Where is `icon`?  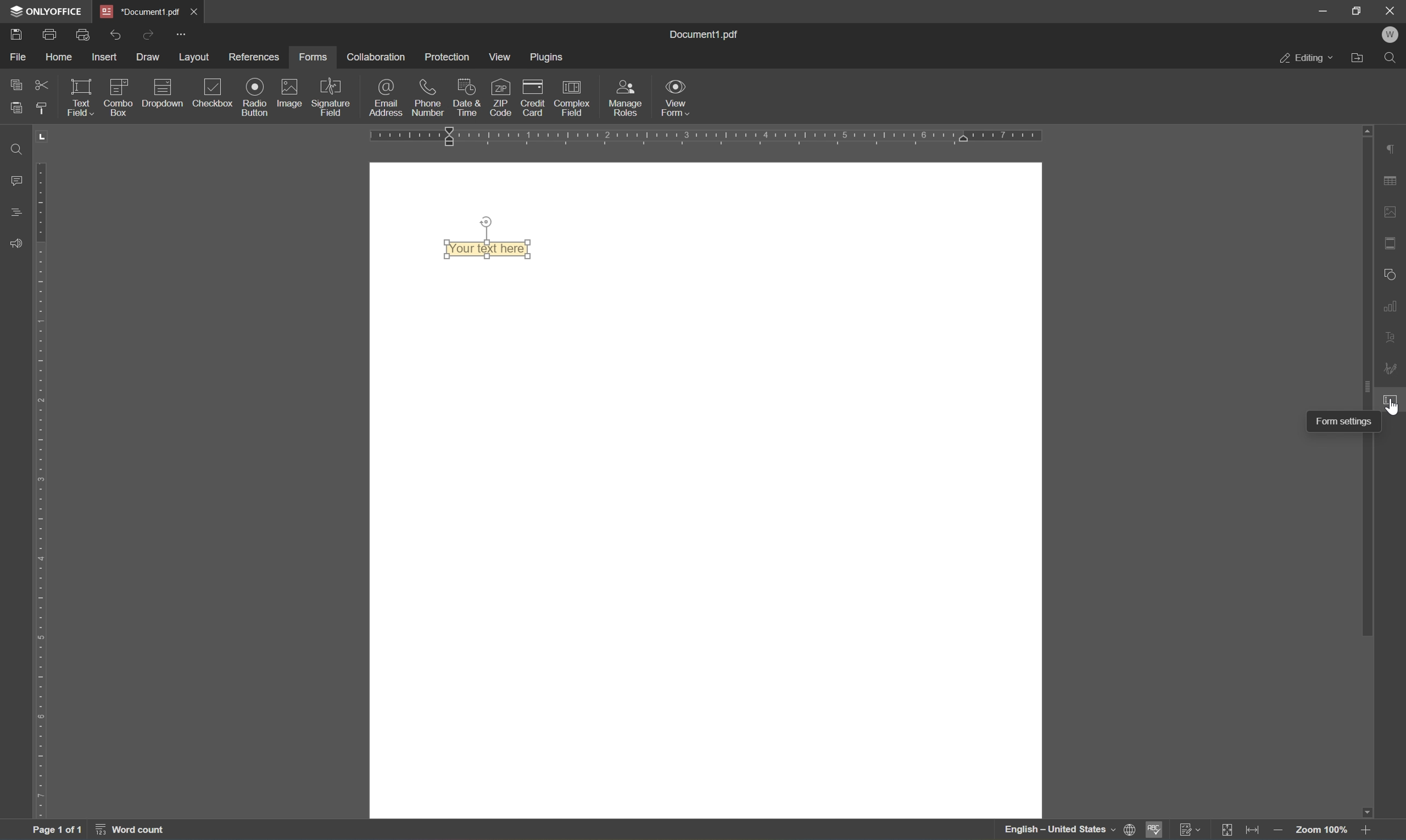 icon is located at coordinates (120, 84).